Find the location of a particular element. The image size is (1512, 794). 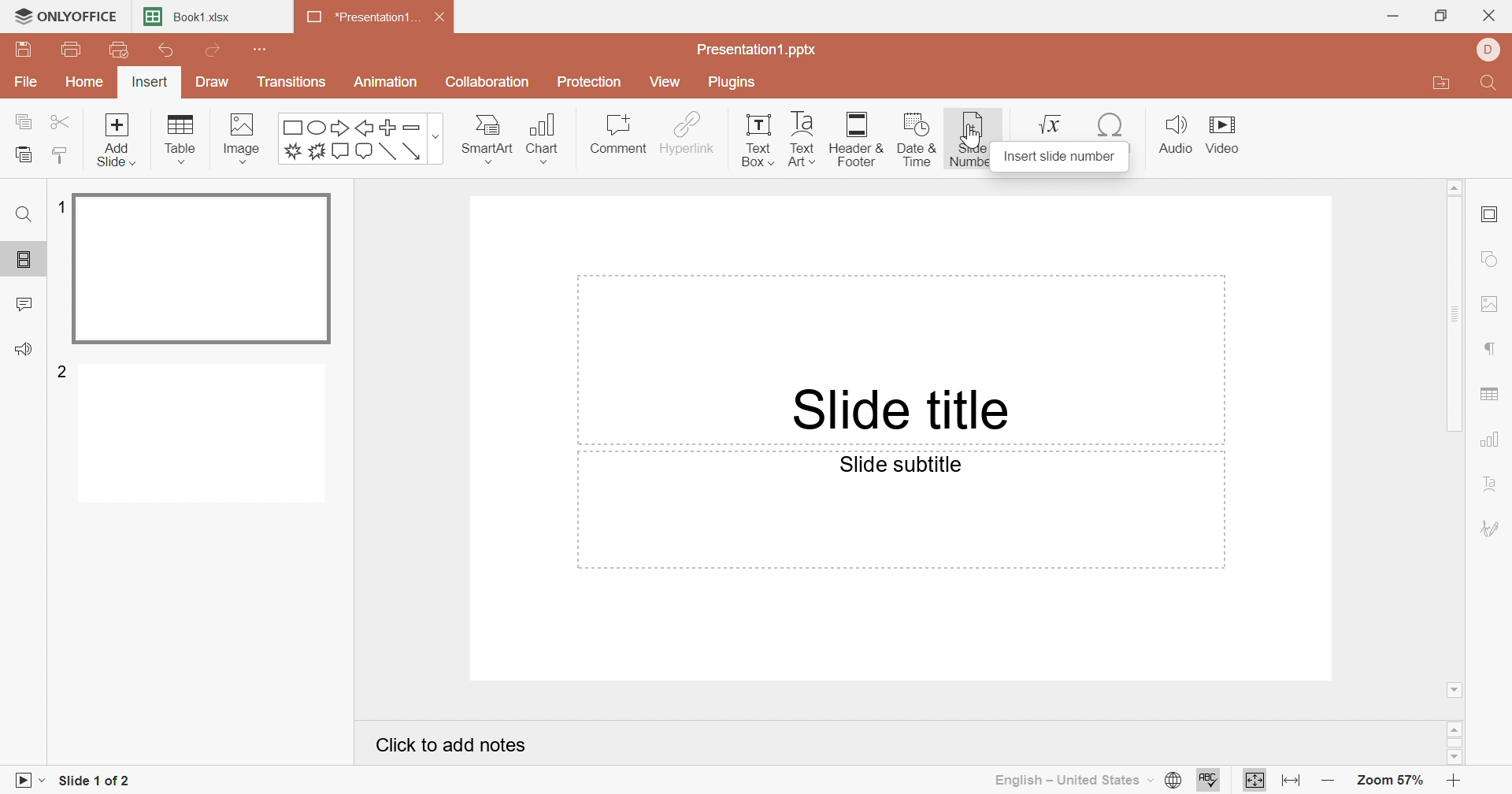

Plugins is located at coordinates (733, 82).